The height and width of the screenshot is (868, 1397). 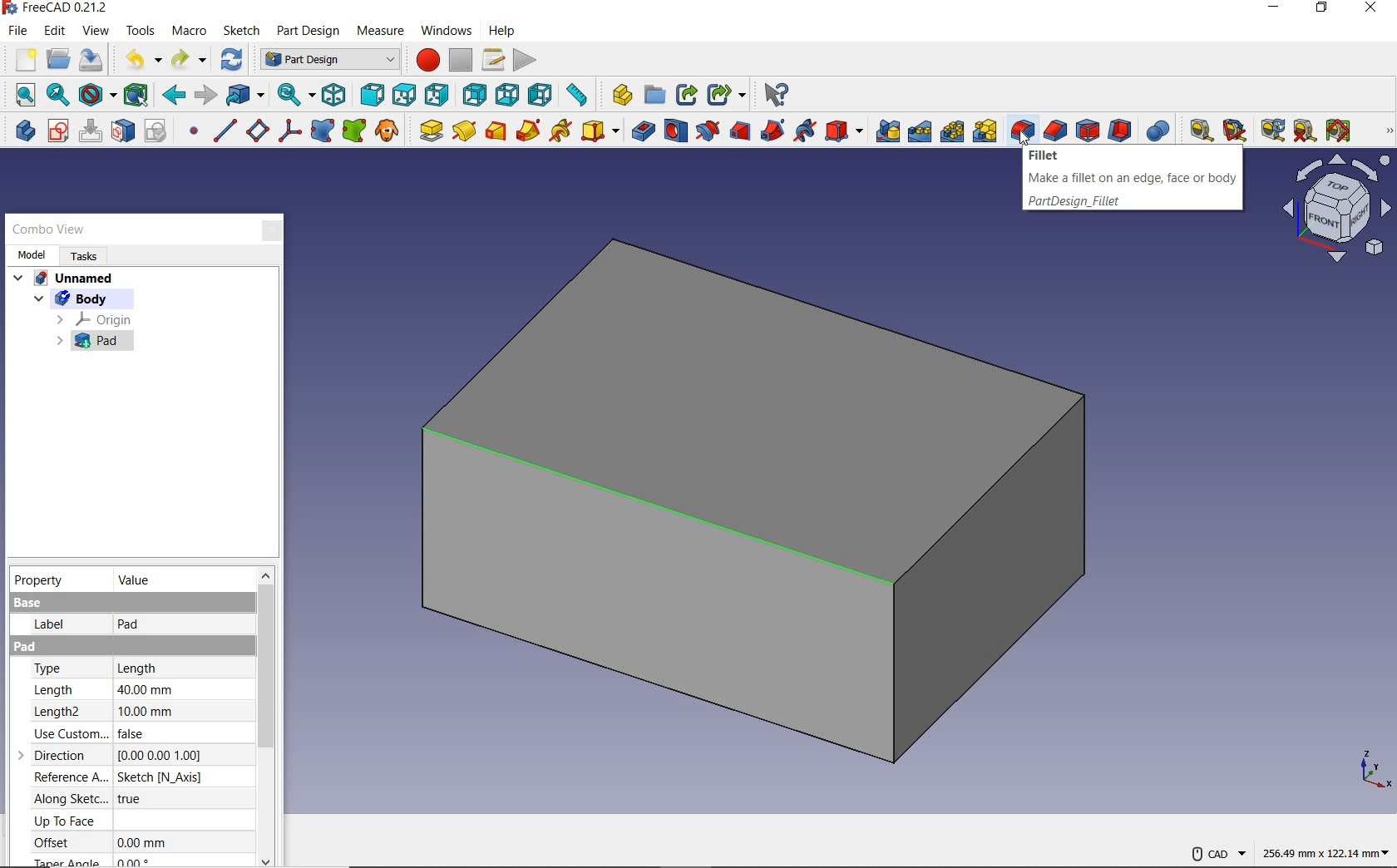 What do you see at coordinates (579, 96) in the screenshot?
I see `measure distance` at bounding box center [579, 96].